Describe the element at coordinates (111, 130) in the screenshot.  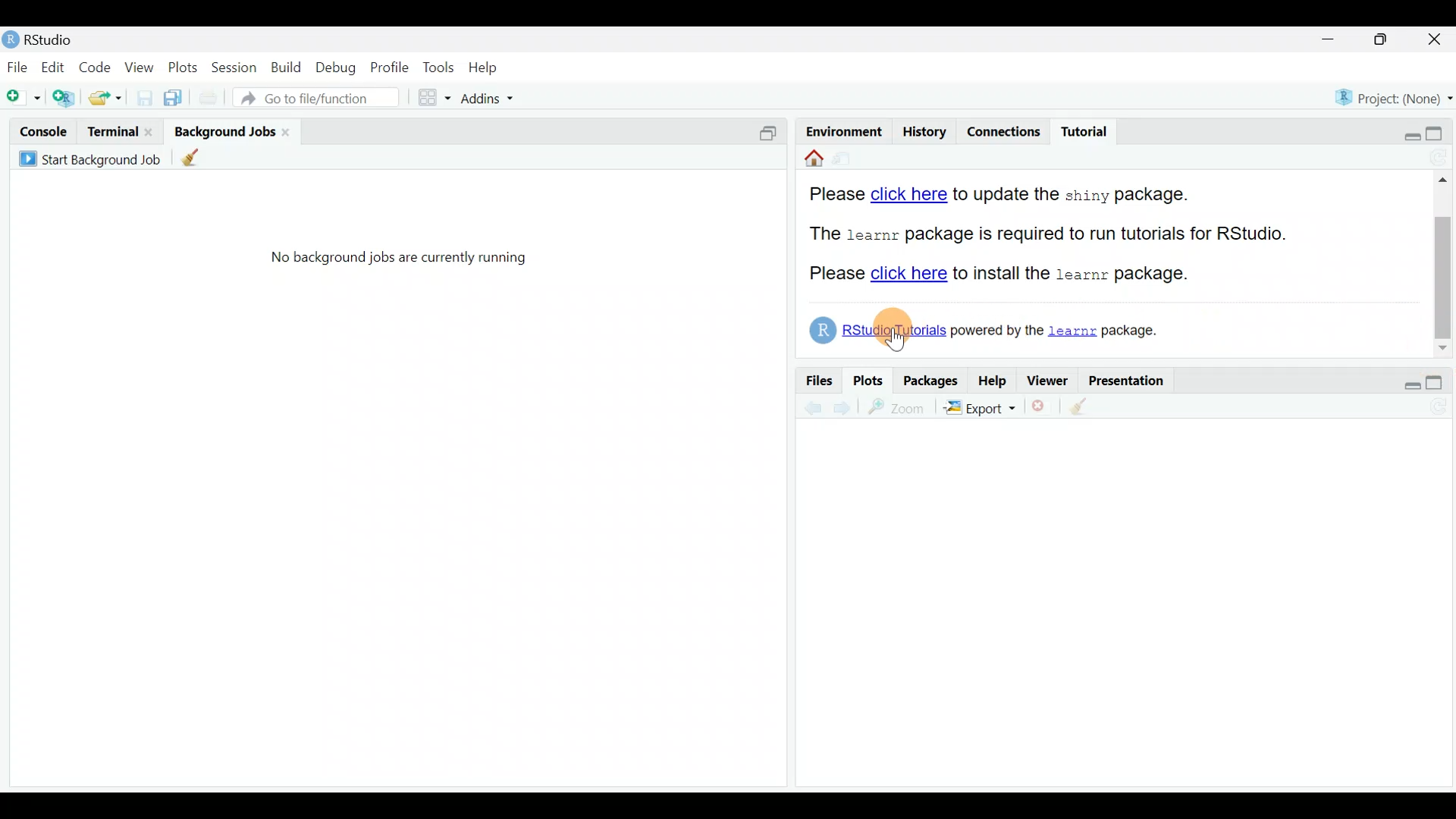
I see `Terminal` at that location.